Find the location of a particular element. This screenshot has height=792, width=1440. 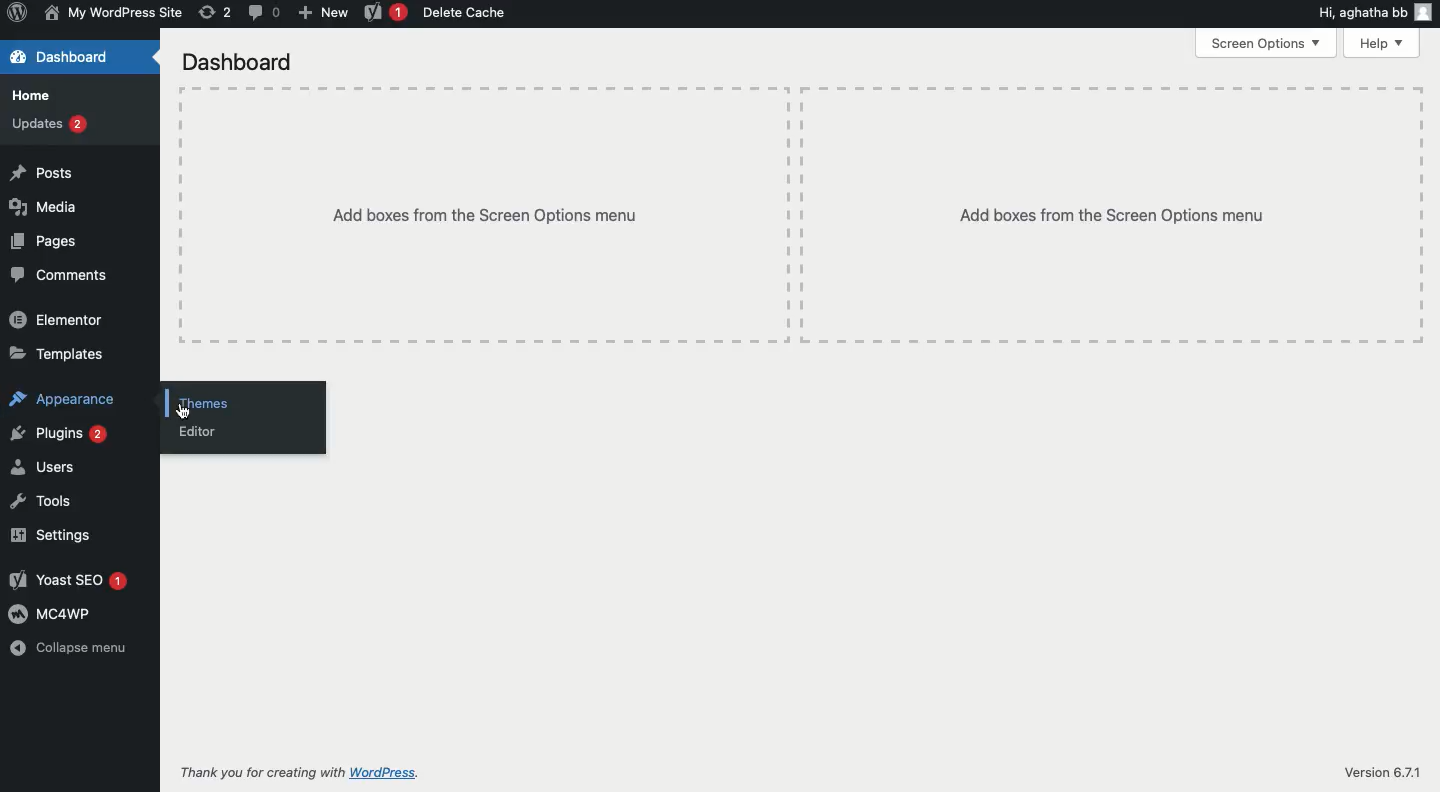

Name is located at coordinates (114, 12).